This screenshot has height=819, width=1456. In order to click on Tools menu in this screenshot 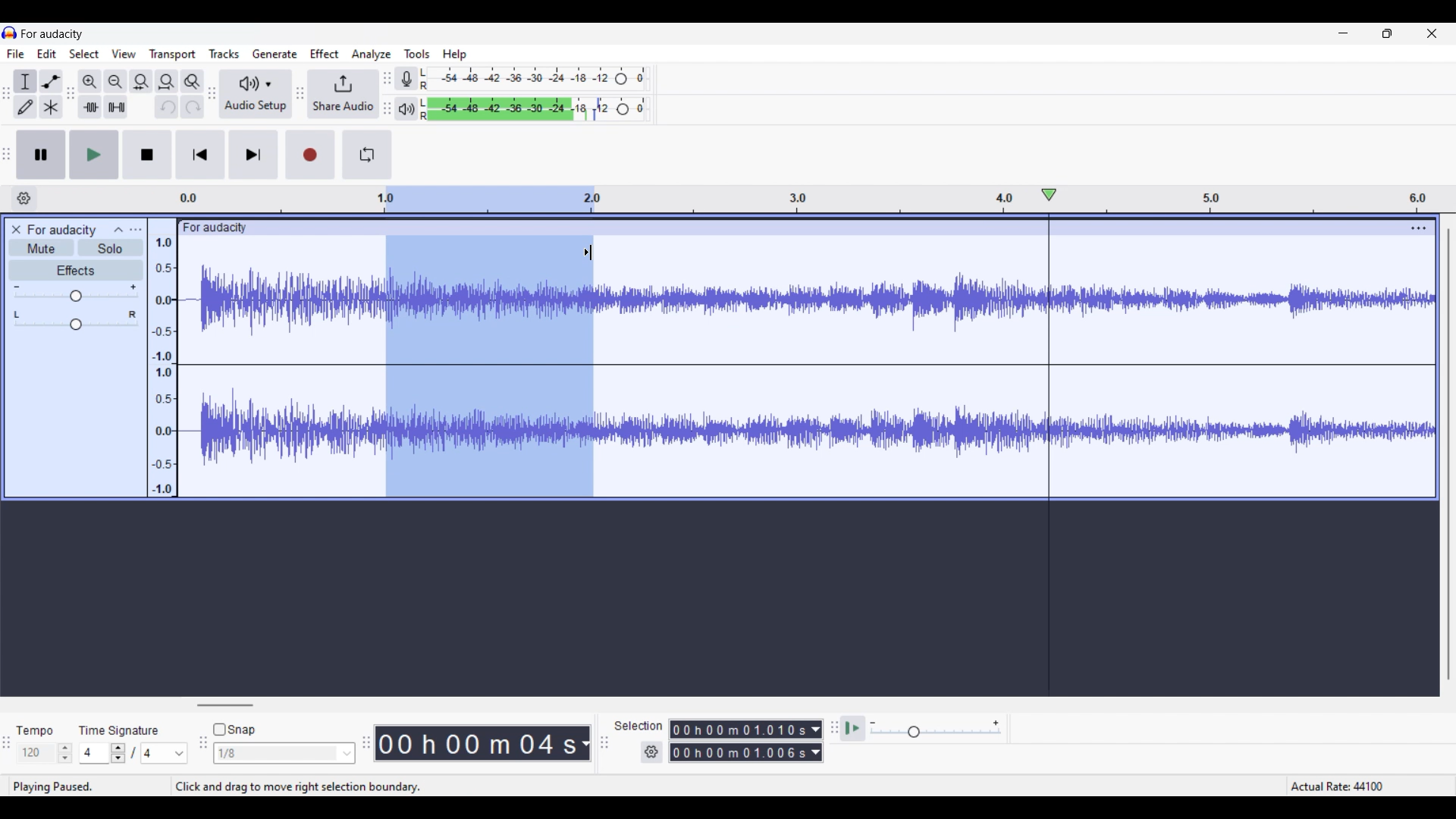, I will do `click(417, 54)`.